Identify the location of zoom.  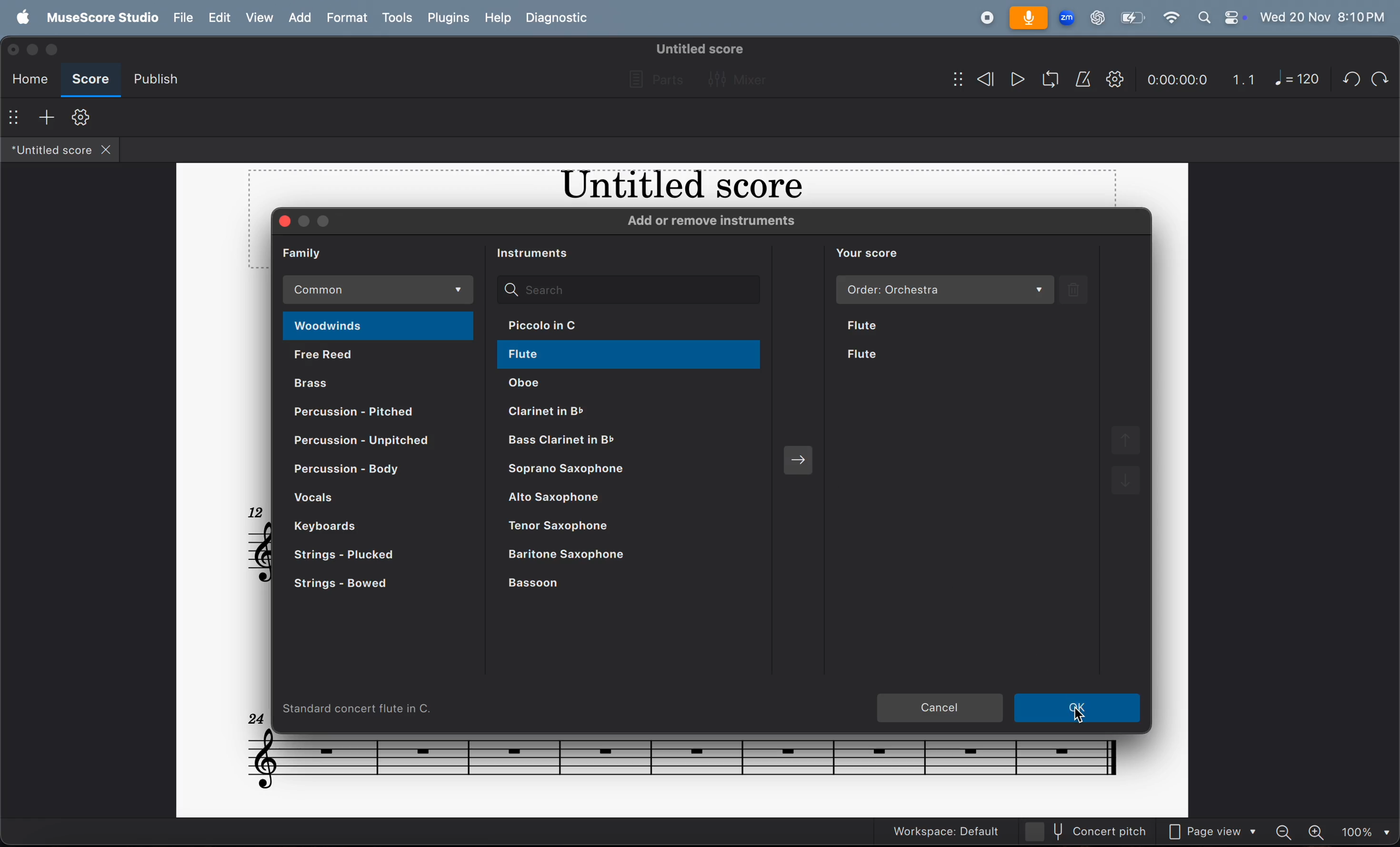
(1067, 17).